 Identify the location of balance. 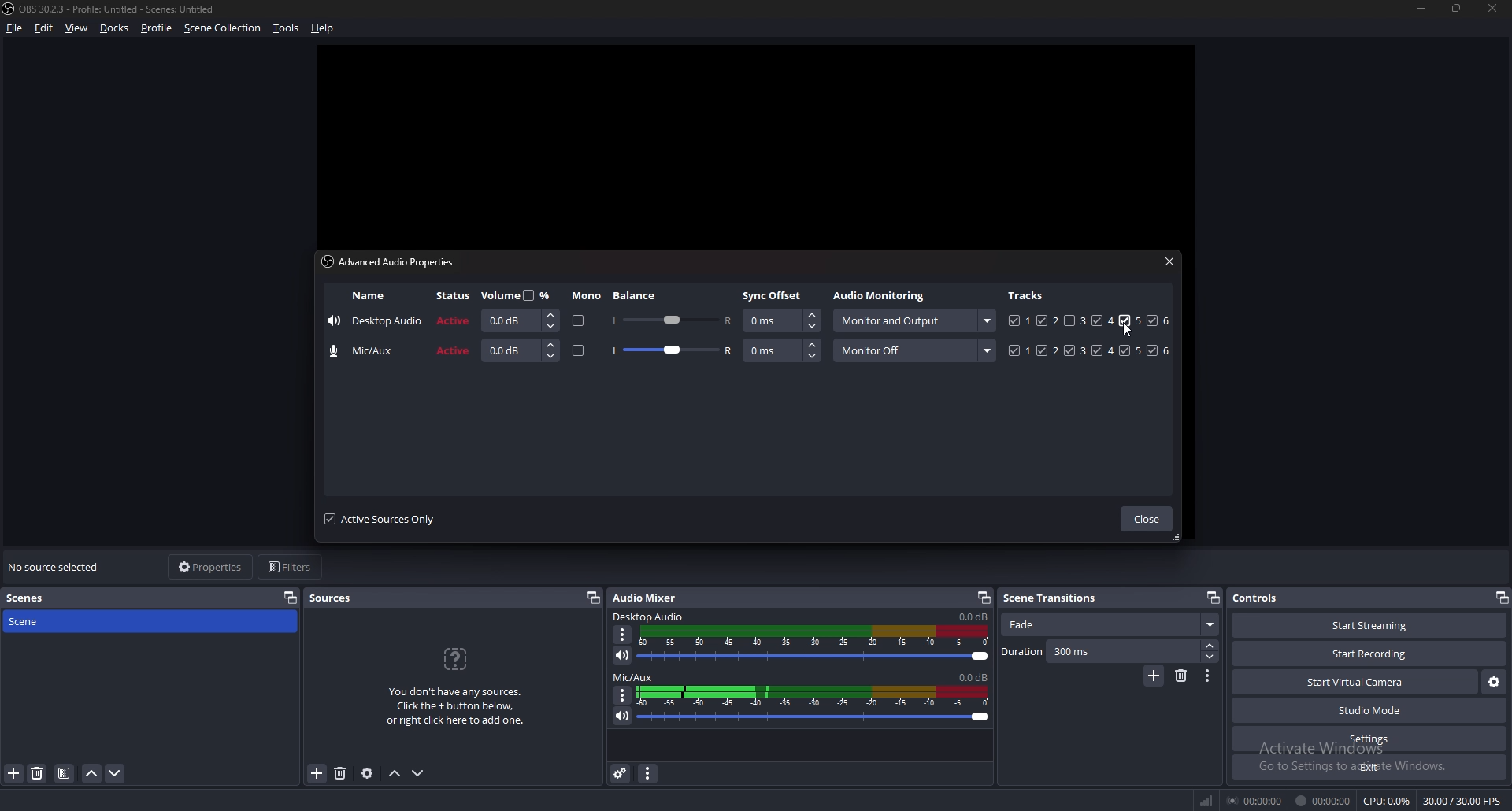
(636, 295).